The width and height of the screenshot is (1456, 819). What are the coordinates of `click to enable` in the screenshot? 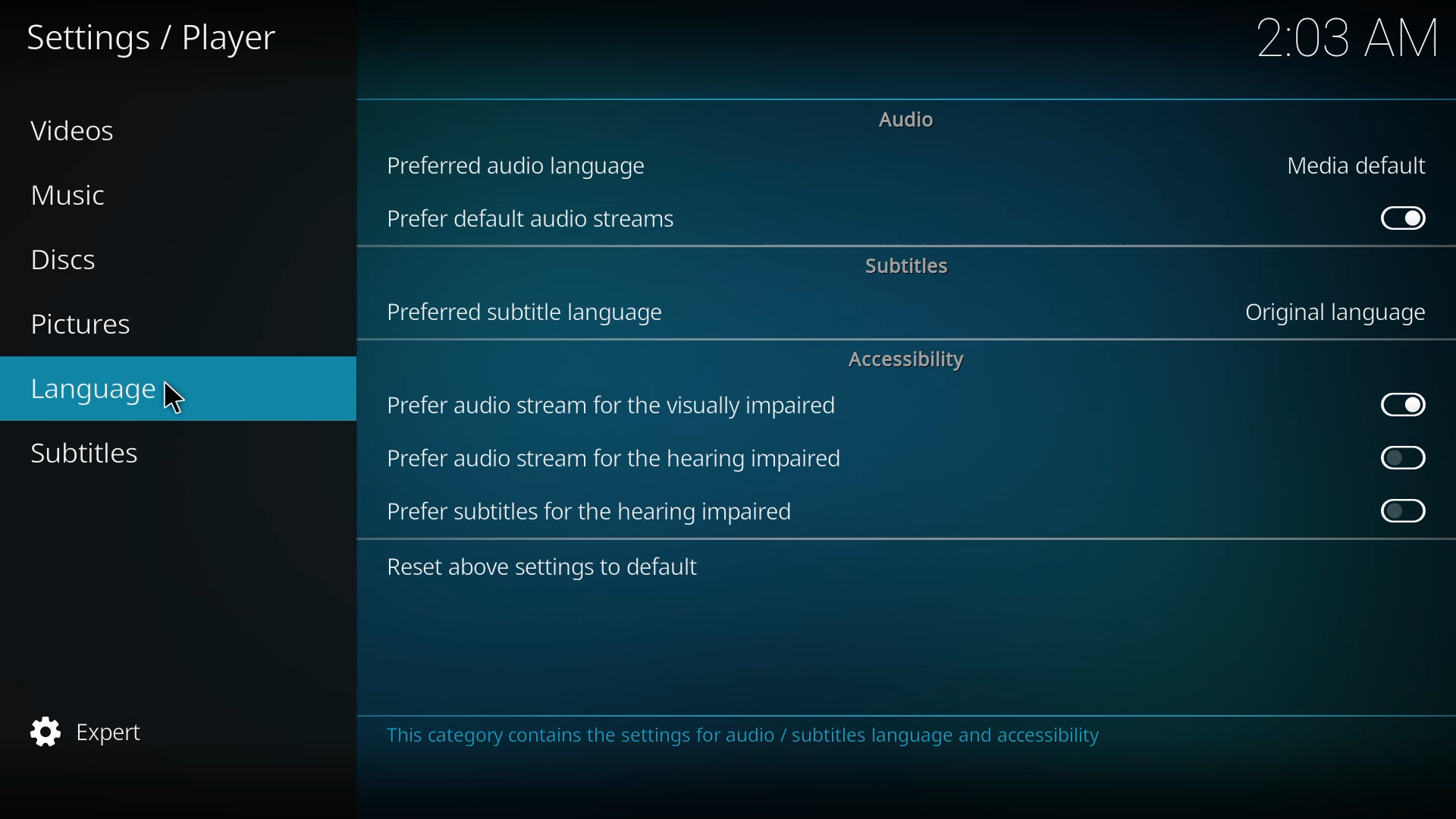 It's located at (1403, 456).